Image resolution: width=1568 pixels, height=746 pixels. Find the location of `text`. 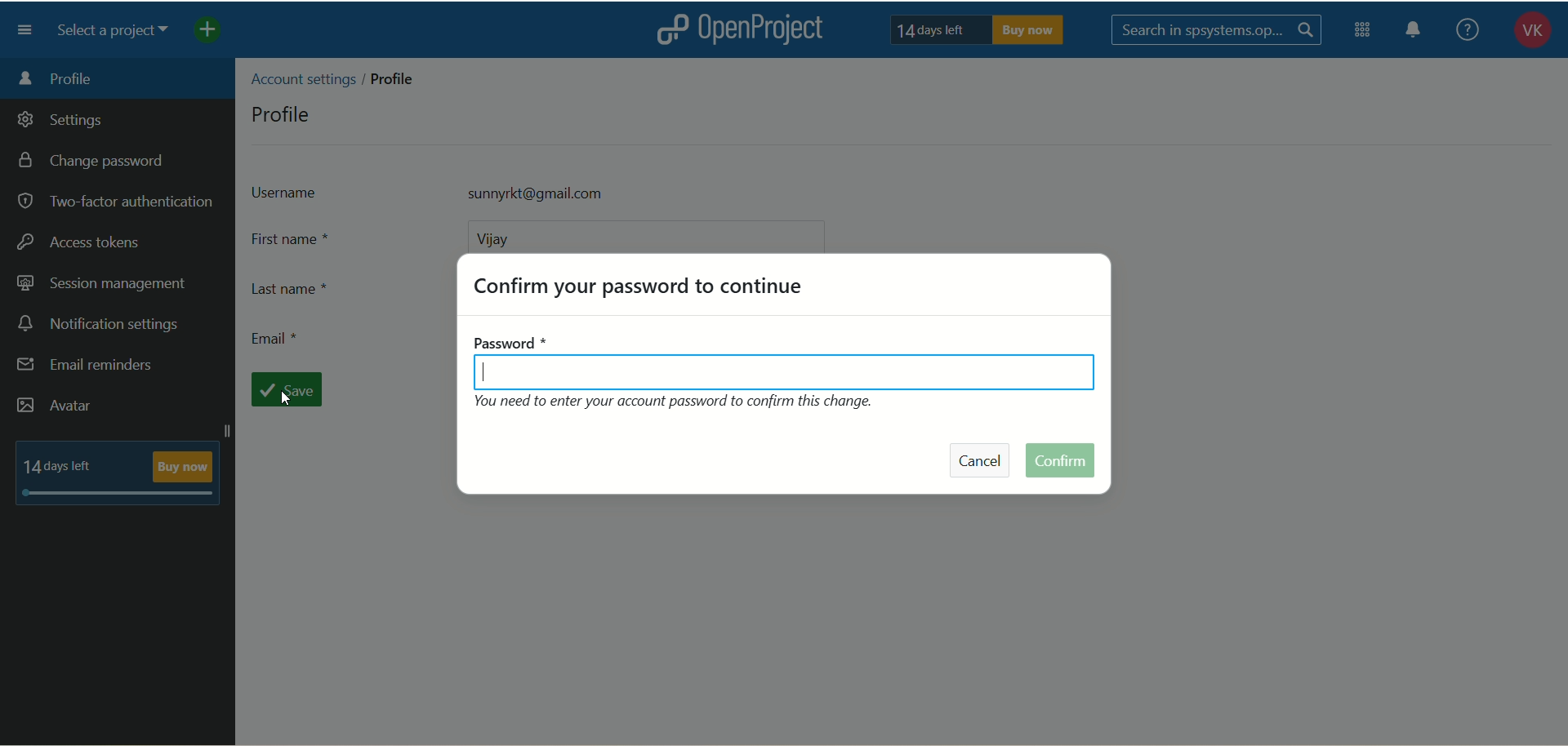

text is located at coordinates (689, 407).